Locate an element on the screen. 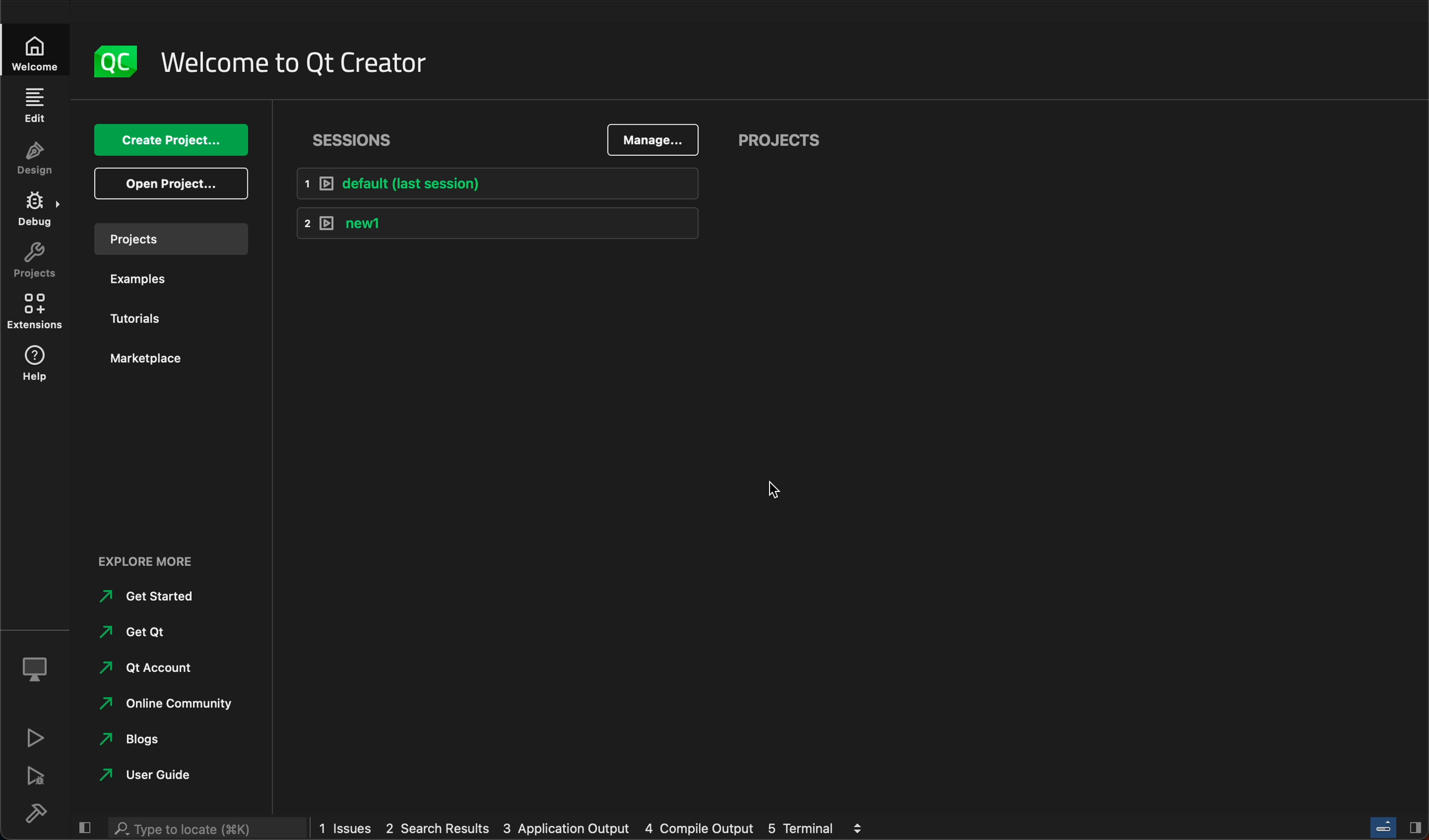 The height and width of the screenshot is (840, 1429). Type to locate (K) is located at coordinates (205, 828).